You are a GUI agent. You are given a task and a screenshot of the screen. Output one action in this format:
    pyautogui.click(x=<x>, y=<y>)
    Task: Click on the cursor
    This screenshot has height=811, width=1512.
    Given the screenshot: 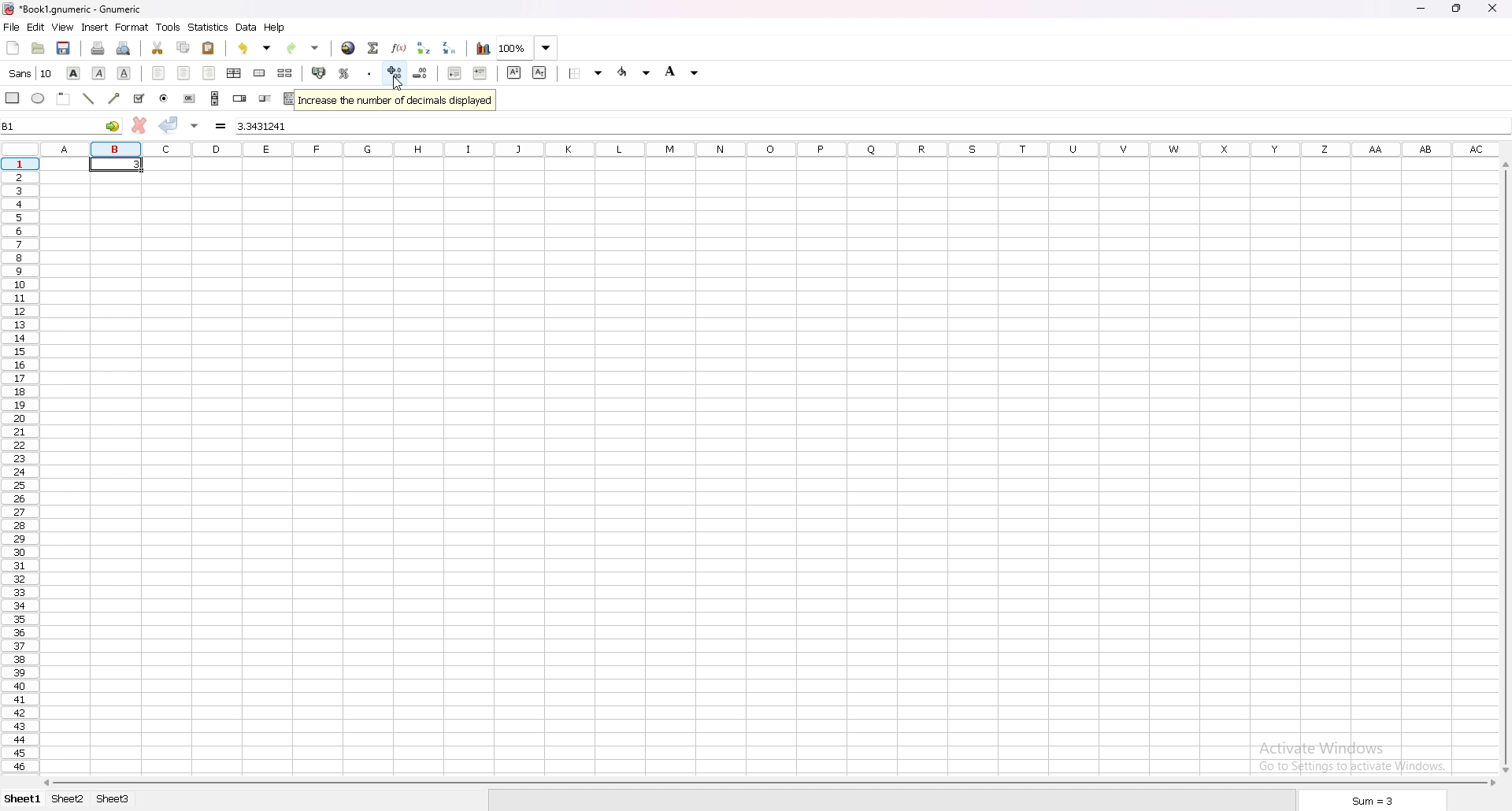 What is the action you would take?
    pyautogui.click(x=396, y=84)
    